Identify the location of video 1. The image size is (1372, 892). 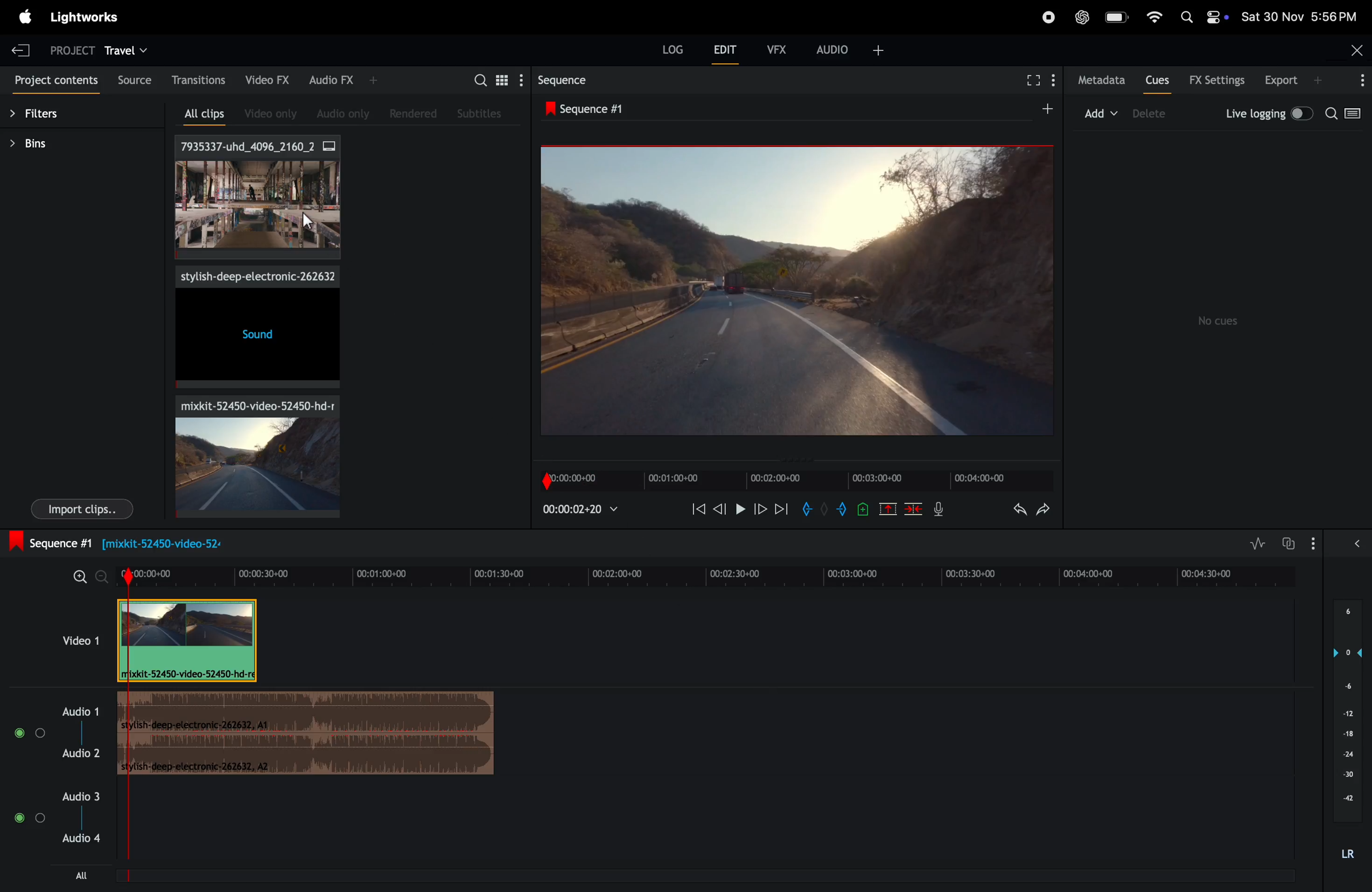
(77, 639).